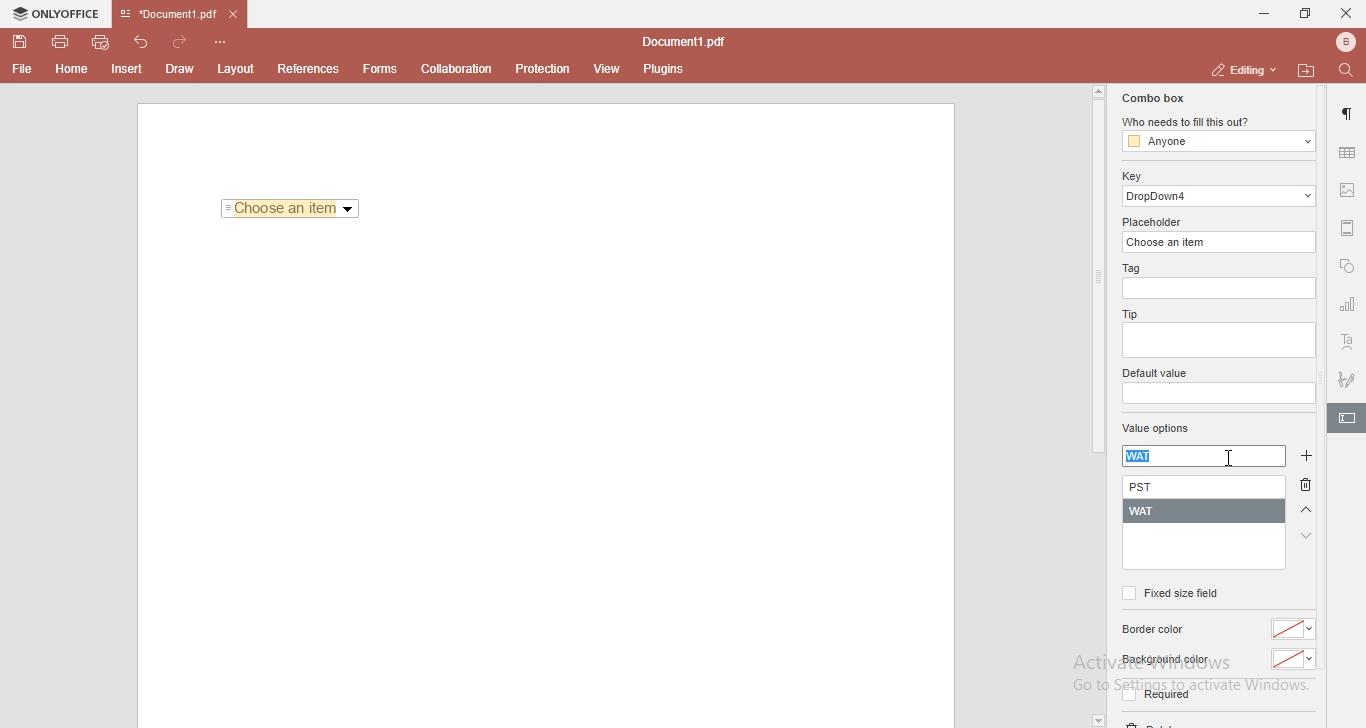 The image size is (1366, 728). What do you see at coordinates (1217, 142) in the screenshot?
I see `anyone` at bounding box center [1217, 142].